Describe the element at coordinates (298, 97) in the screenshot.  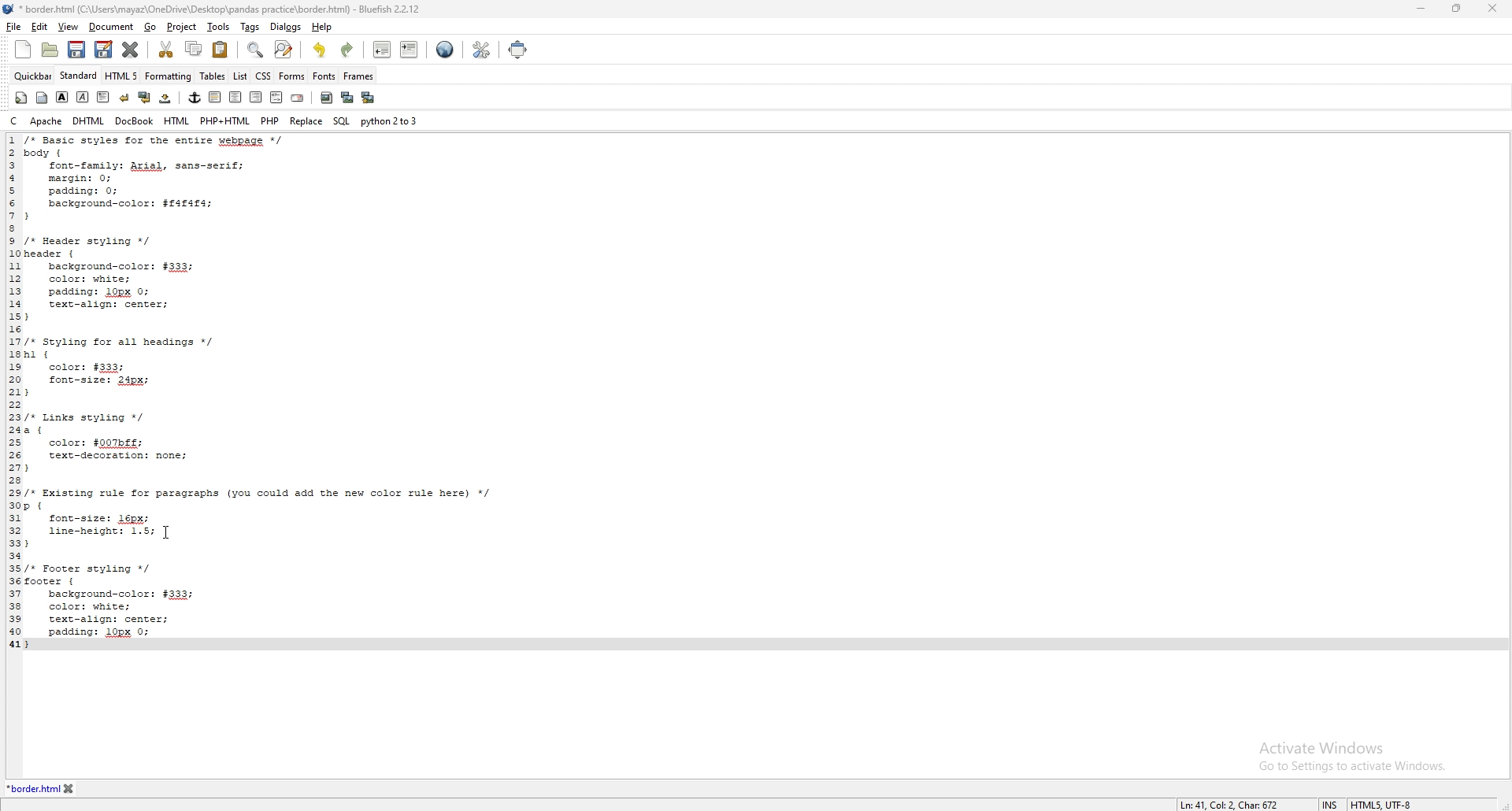
I see `email` at that location.